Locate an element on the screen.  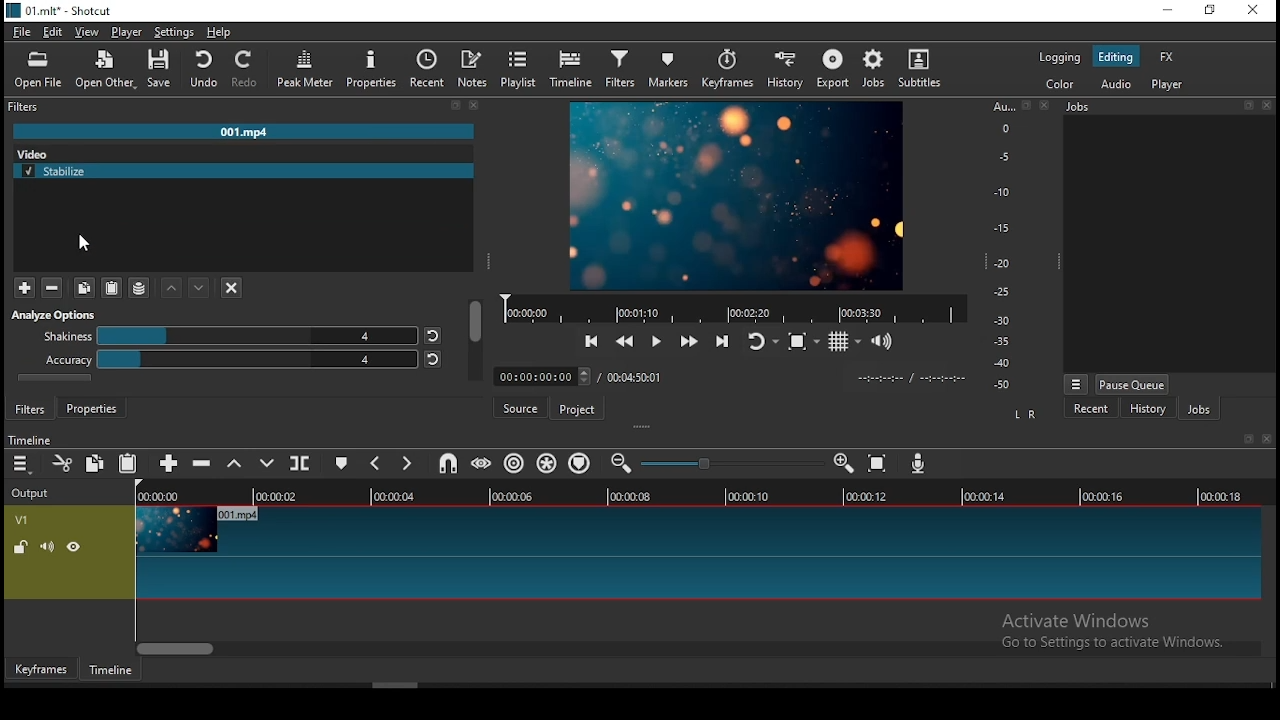
001.mp4 is located at coordinates (247, 134).